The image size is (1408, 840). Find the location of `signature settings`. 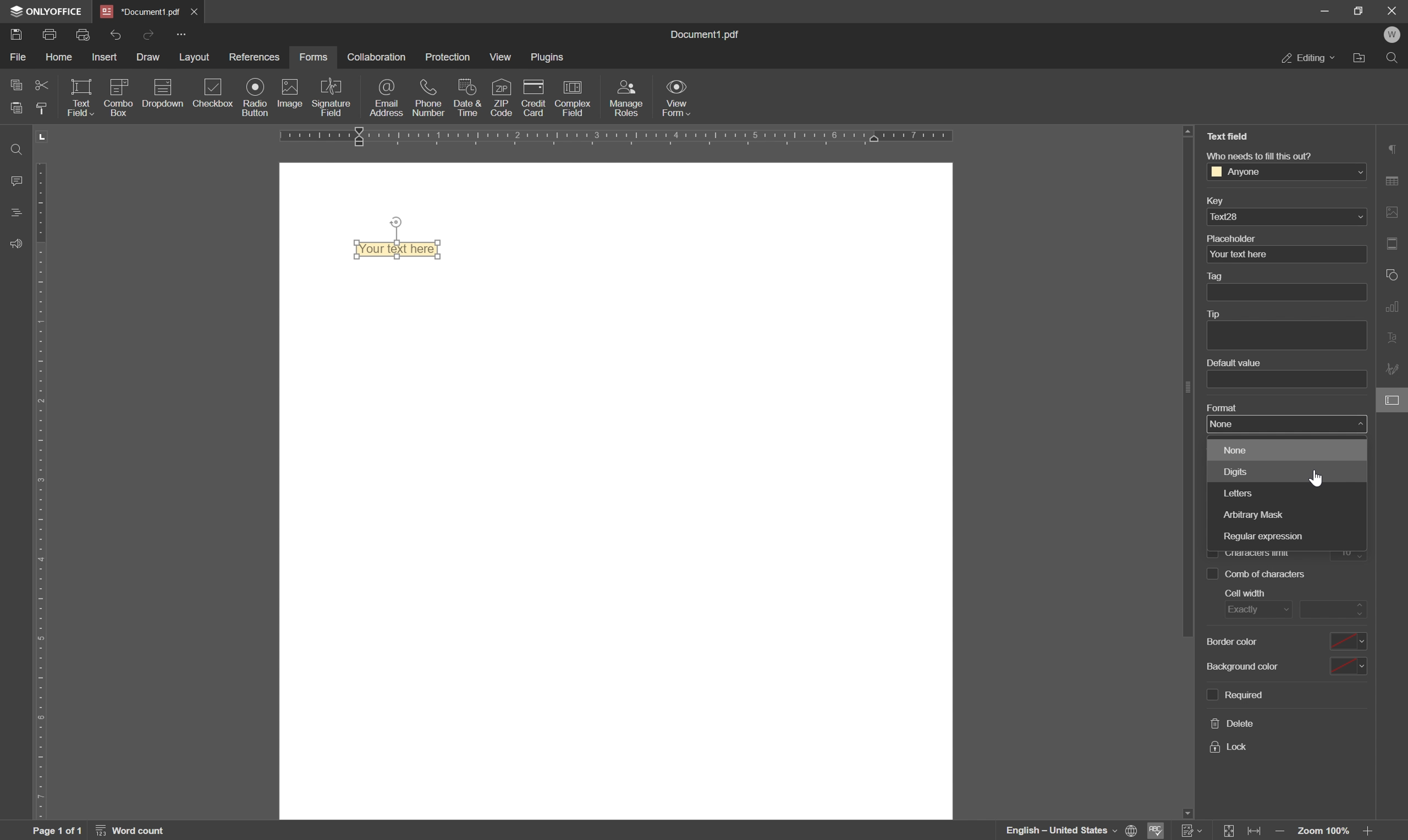

signature settings is located at coordinates (1394, 367).